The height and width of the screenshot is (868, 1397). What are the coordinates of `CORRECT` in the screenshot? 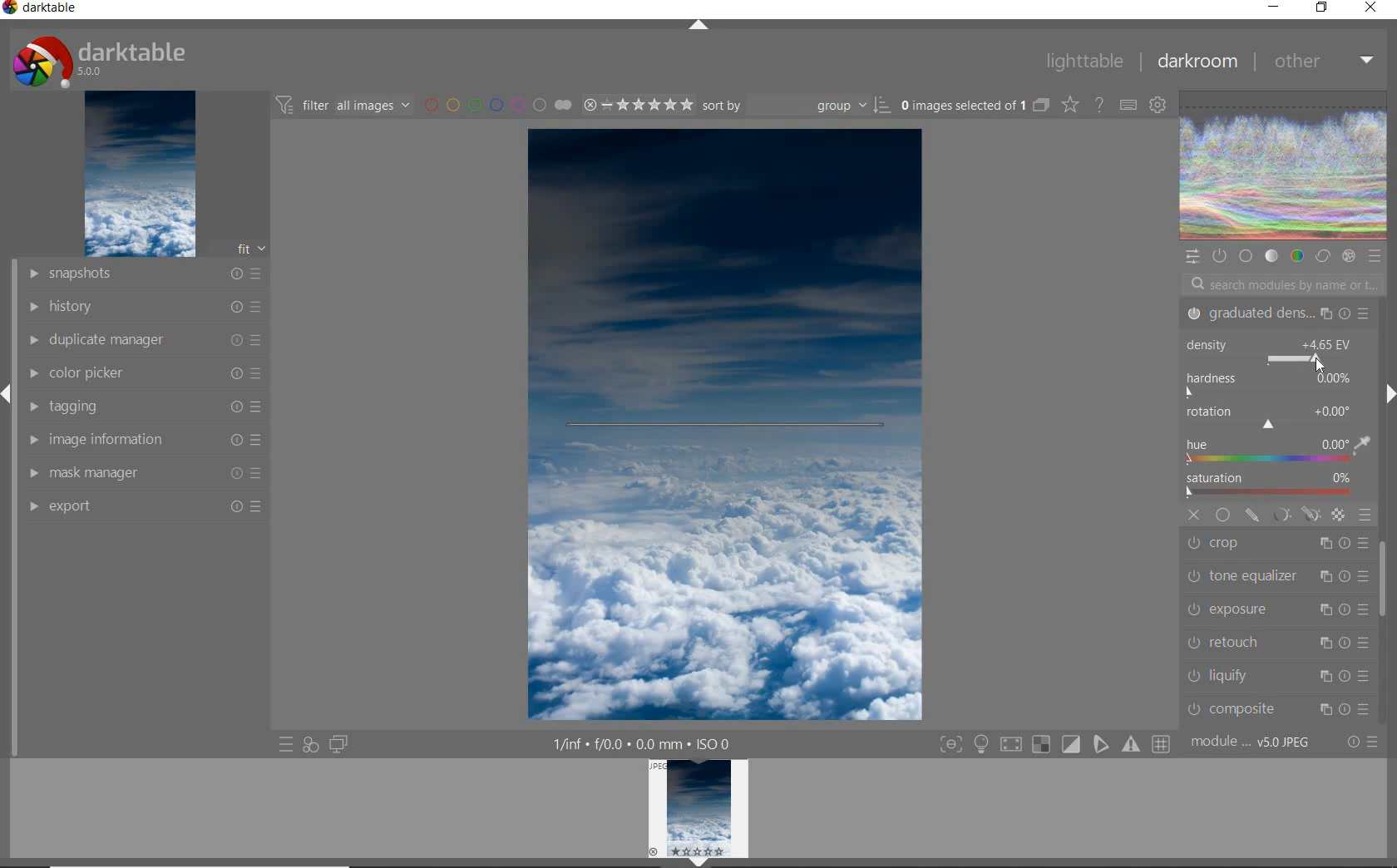 It's located at (1322, 255).